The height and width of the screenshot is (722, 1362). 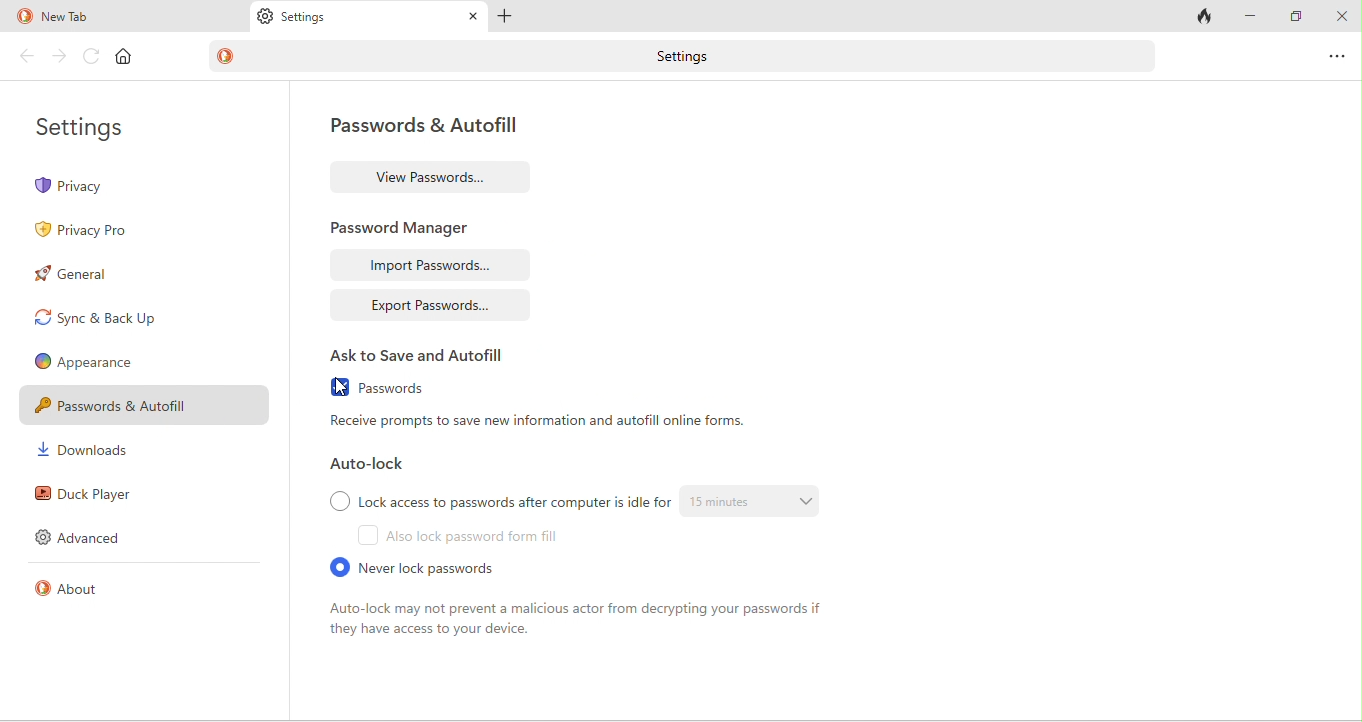 What do you see at coordinates (84, 492) in the screenshot?
I see `duck player` at bounding box center [84, 492].